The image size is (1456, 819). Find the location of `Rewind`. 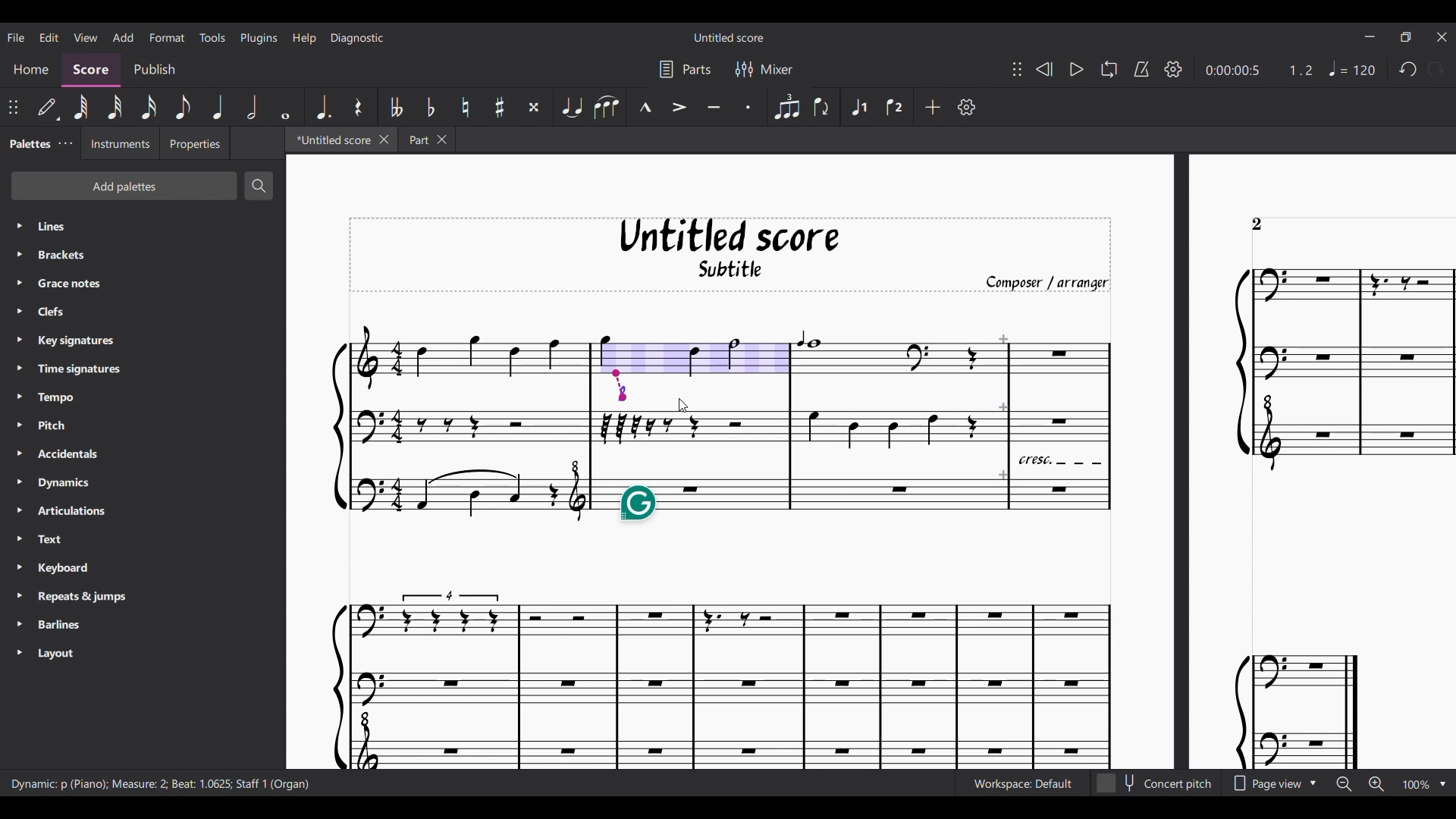

Rewind is located at coordinates (1045, 69).